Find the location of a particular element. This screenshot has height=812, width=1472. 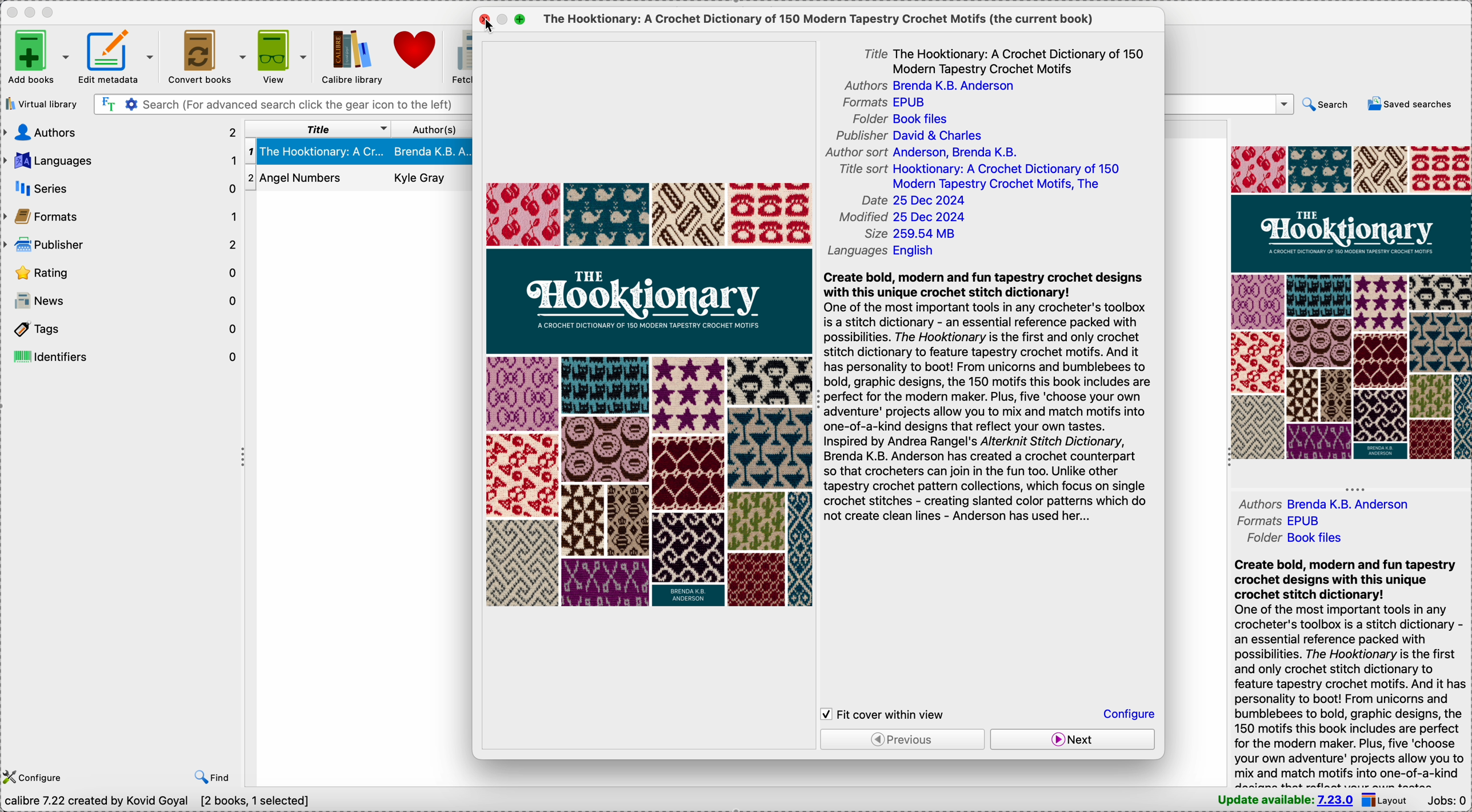

series is located at coordinates (119, 189).